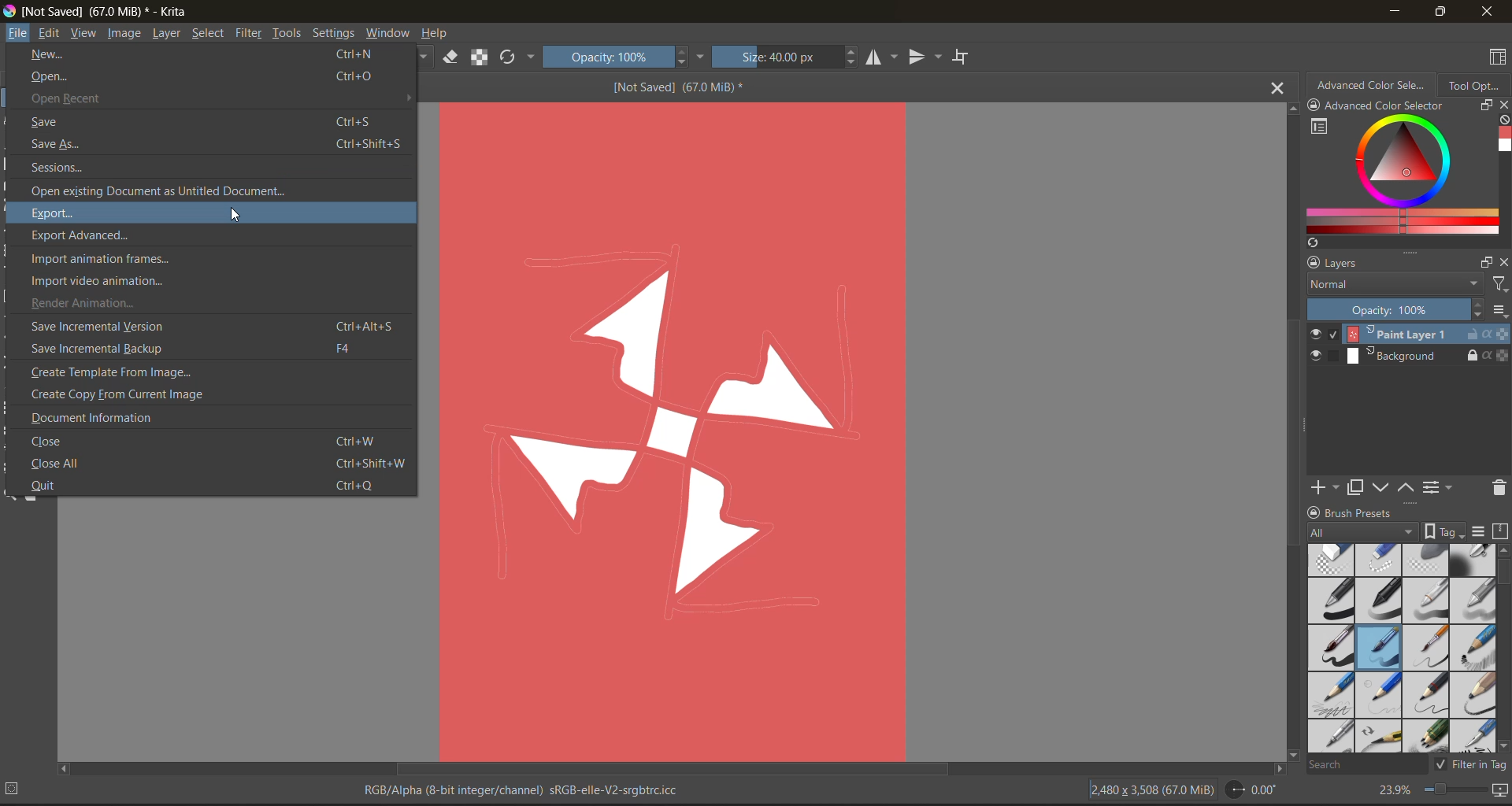 The height and width of the screenshot is (806, 1512). Describe the element at coordinates (208, 347) in the screenshot. I see `save incremental backup` at that location.